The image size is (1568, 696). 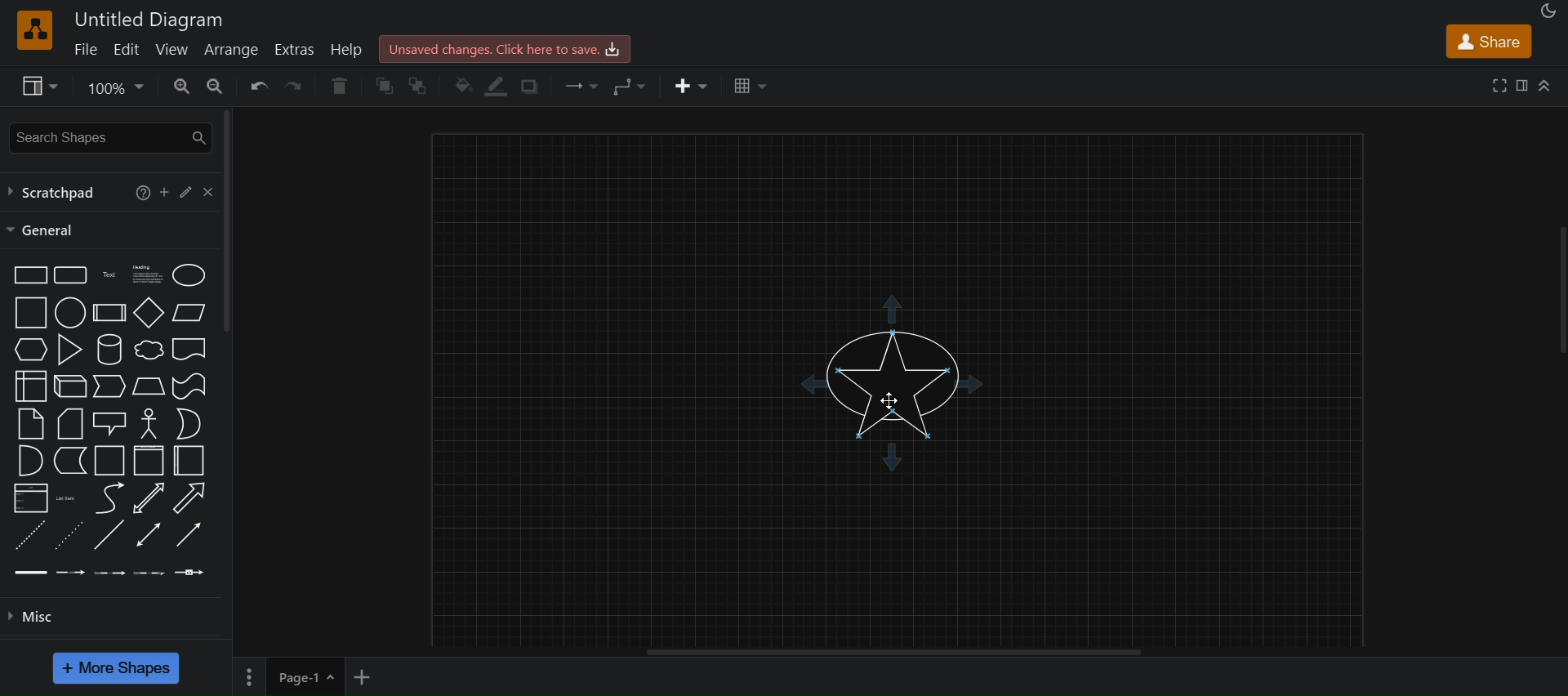 What do you see at coordinates (505, 47) in the screenshot?
I see `click here to to save` at bounding box center [505, 47].